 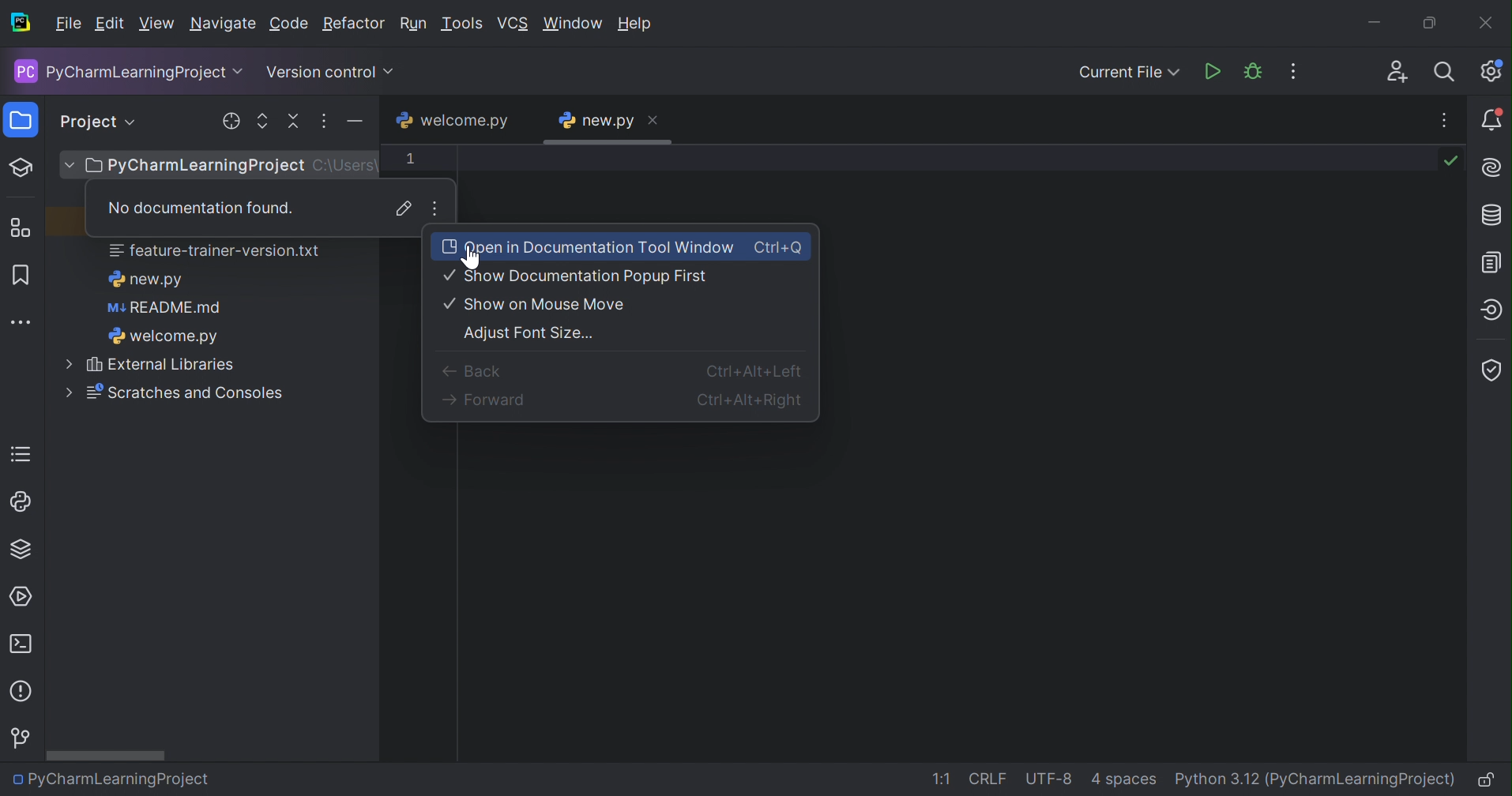 What do you see at coordinates (1254, 71) in the screenshot?
I see `Debug 'new.py'` at bounding box center [1254, 71].